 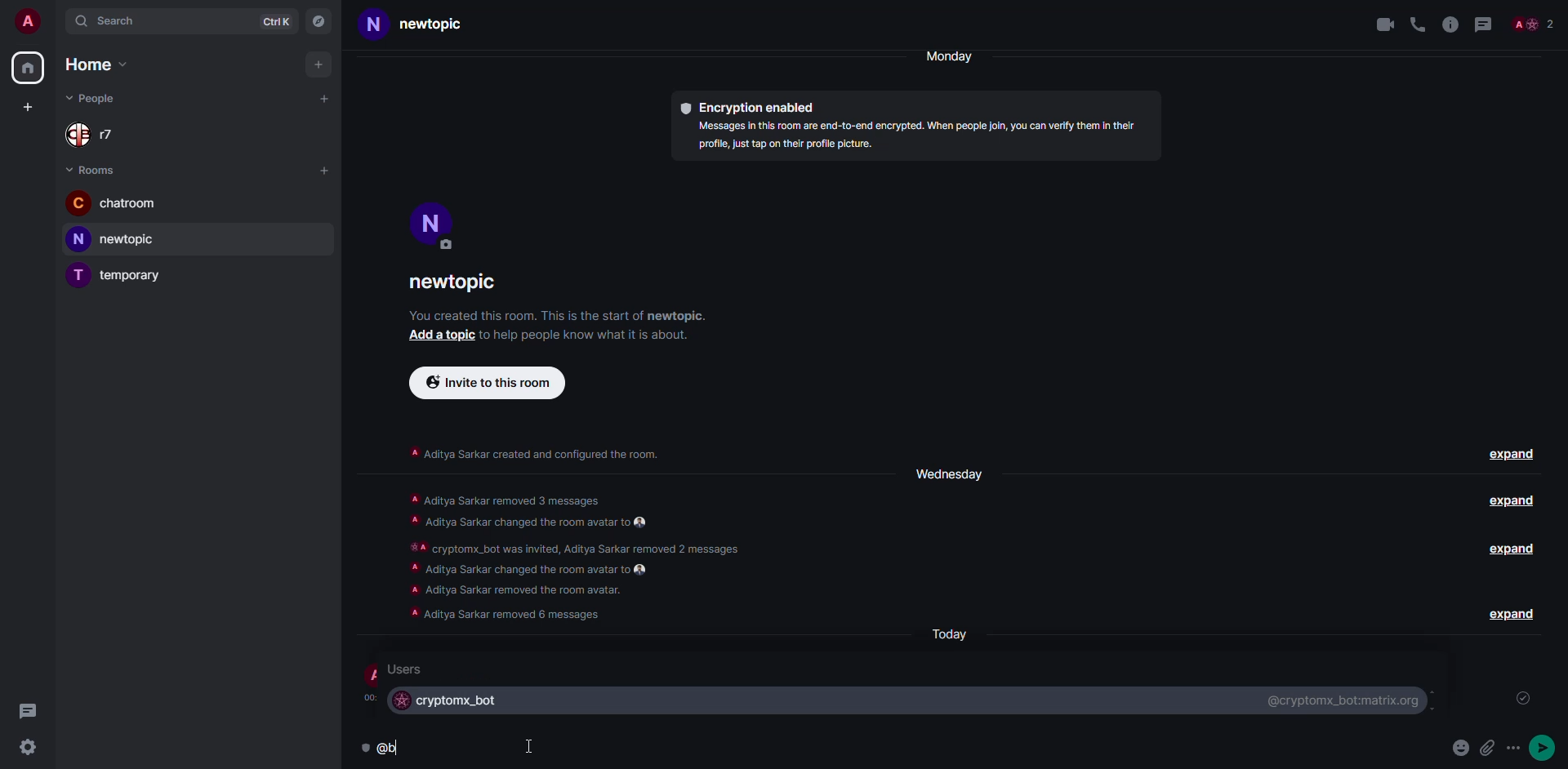 I want to click on day, so click(x=956, y=56).